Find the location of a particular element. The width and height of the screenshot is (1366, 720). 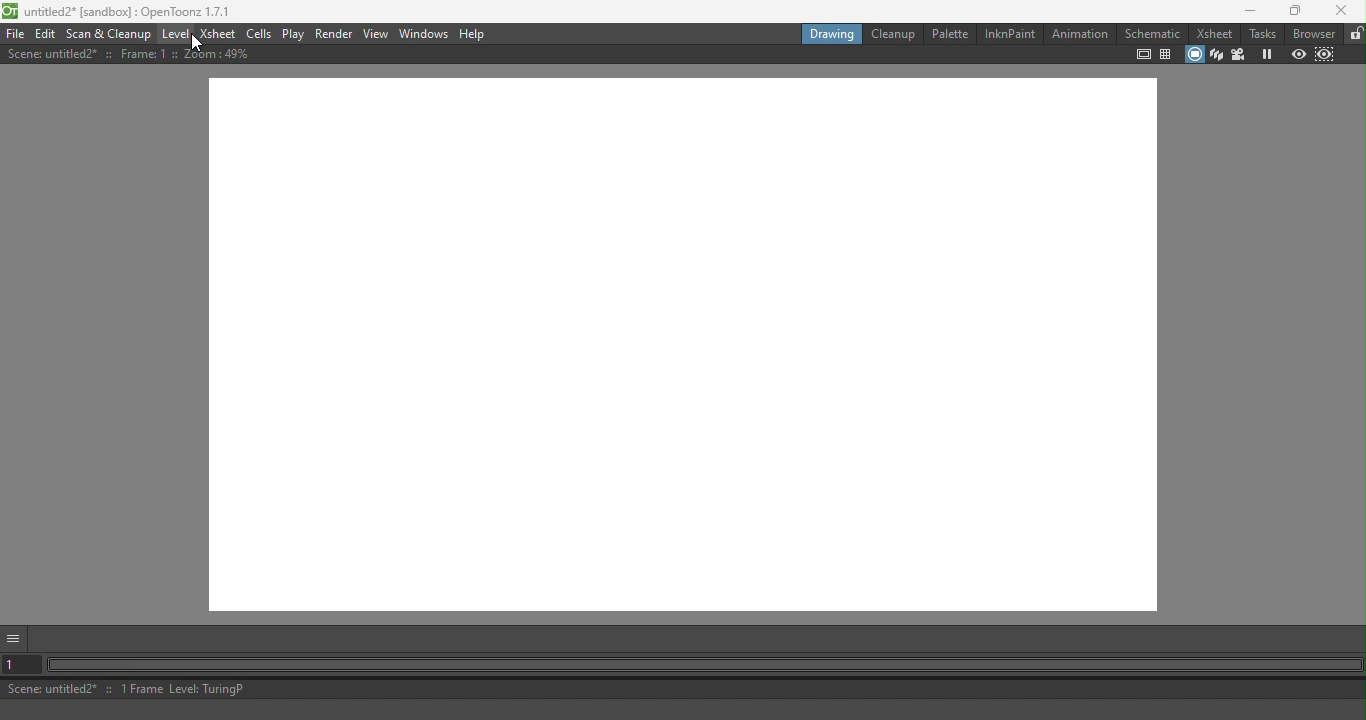

cursor is located at coordinates (201, 44).